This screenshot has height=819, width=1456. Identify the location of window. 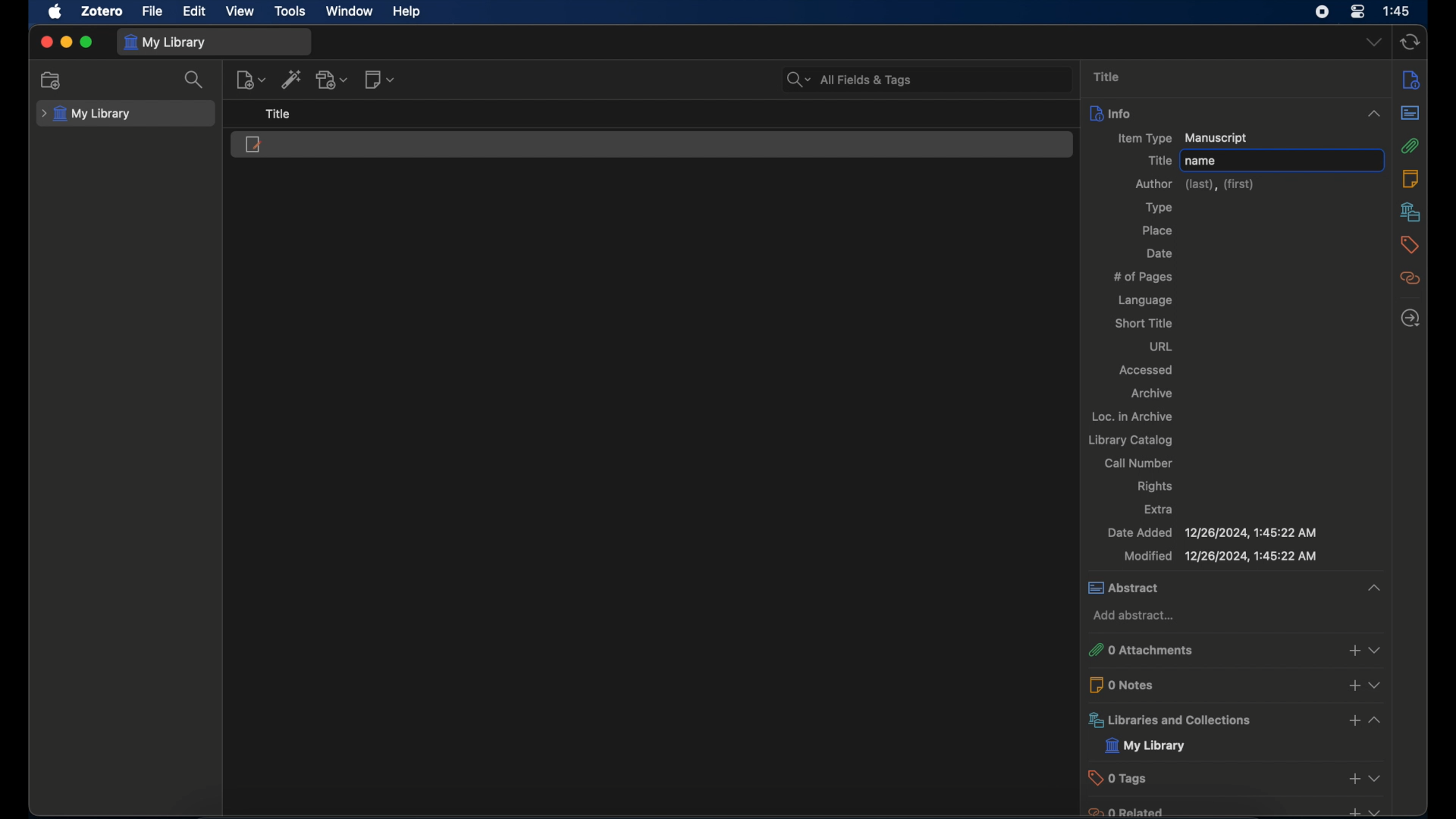
(349, 11).